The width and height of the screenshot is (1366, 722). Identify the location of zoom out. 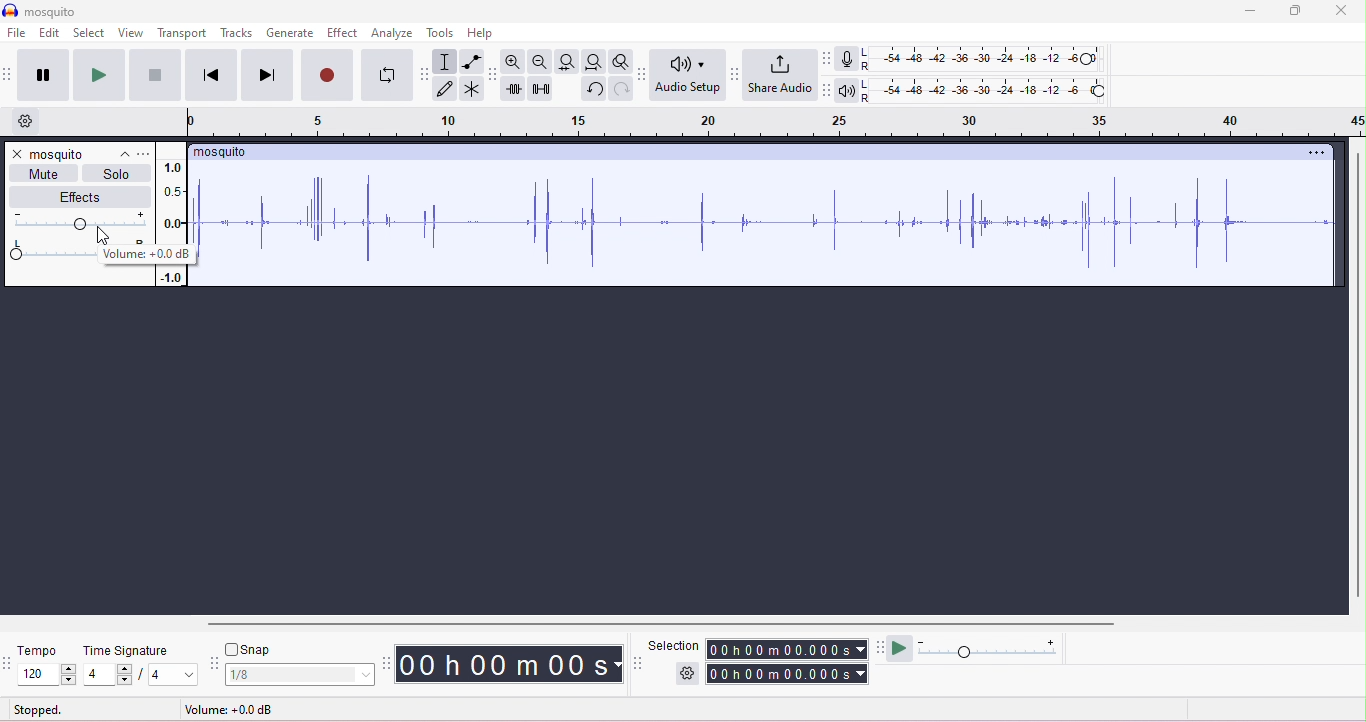
(541, 62).